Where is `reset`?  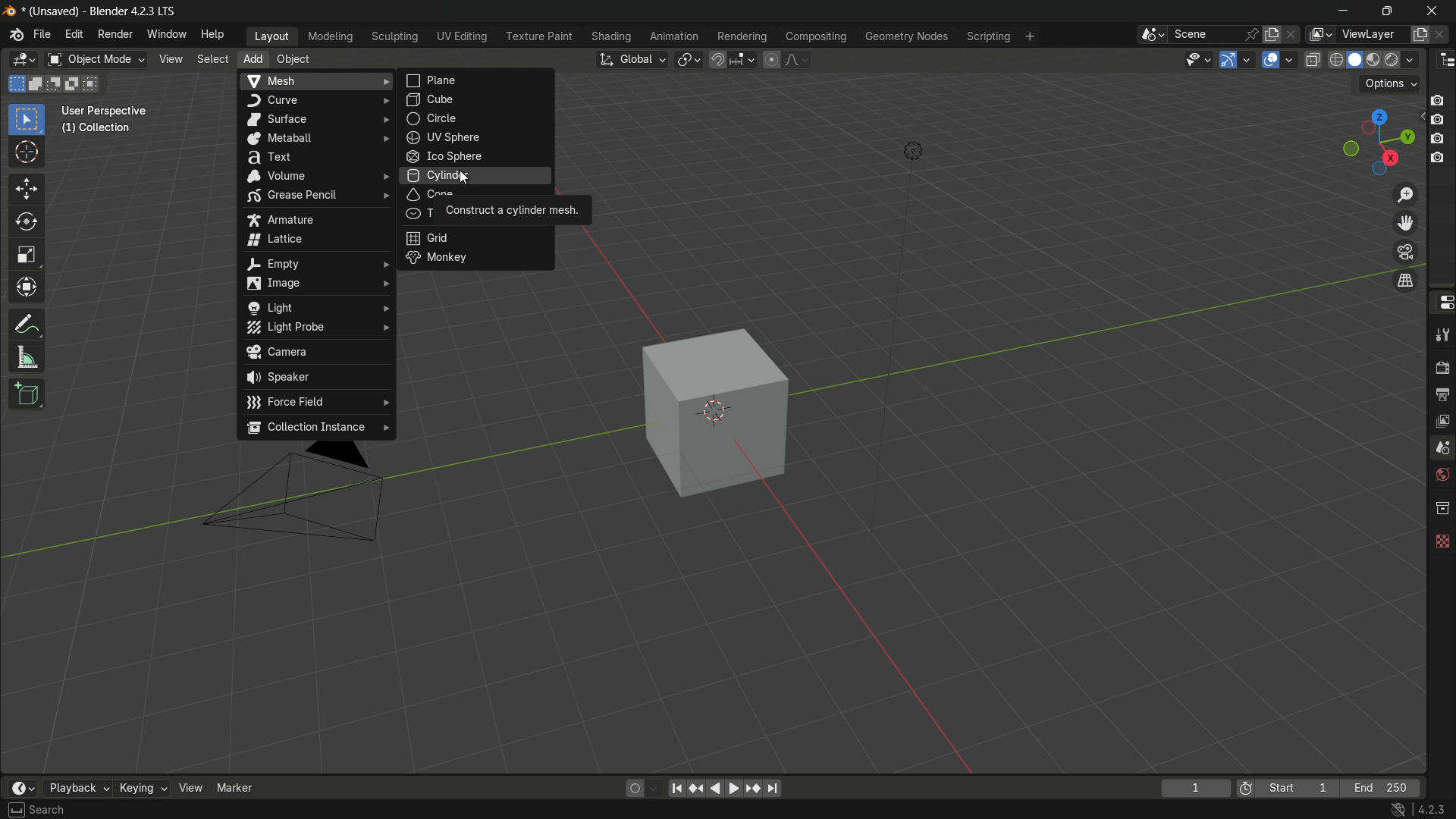
reset is located at coordinates (698, 789).